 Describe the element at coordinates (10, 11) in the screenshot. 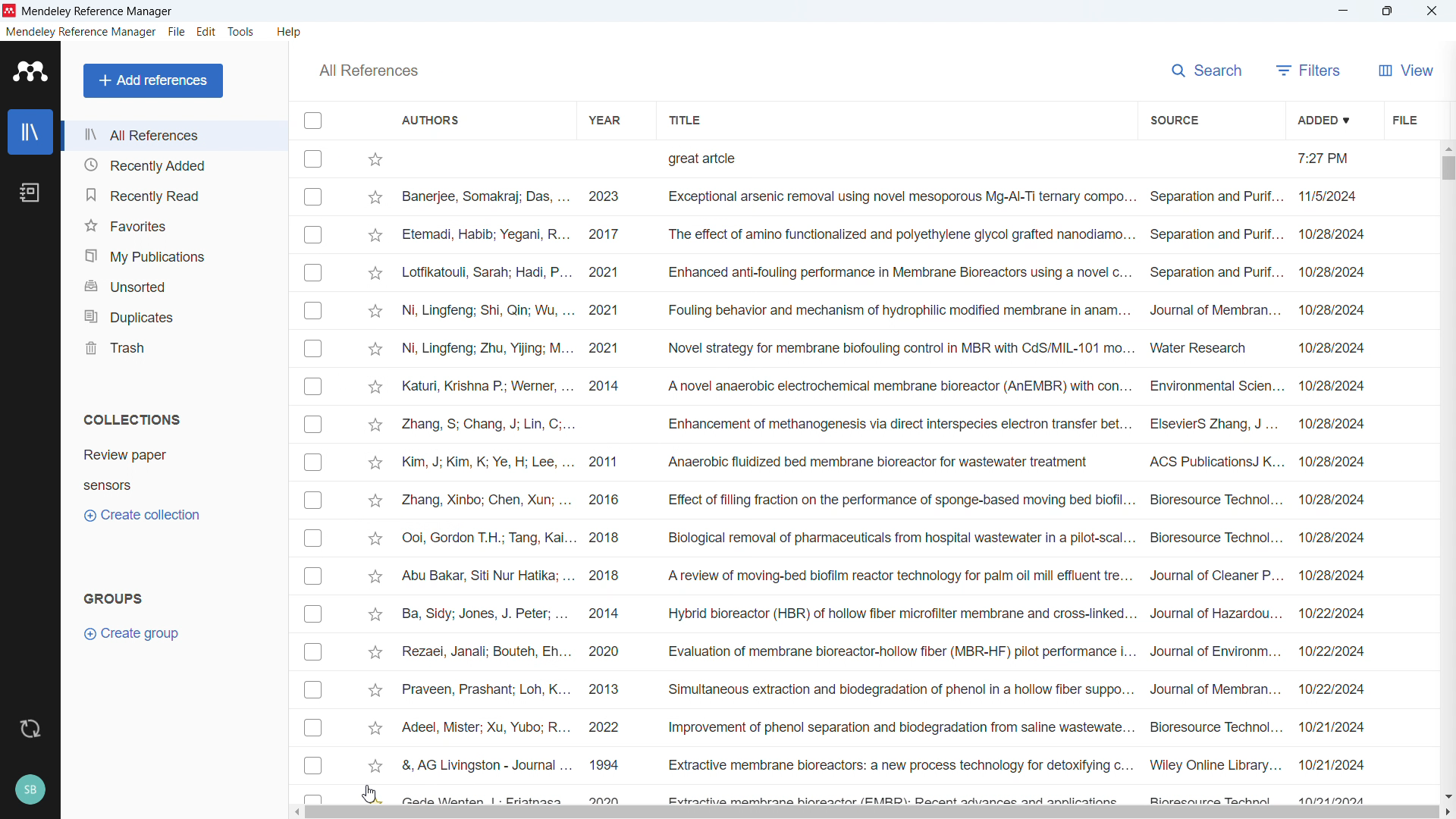

I see `logo` at that location.